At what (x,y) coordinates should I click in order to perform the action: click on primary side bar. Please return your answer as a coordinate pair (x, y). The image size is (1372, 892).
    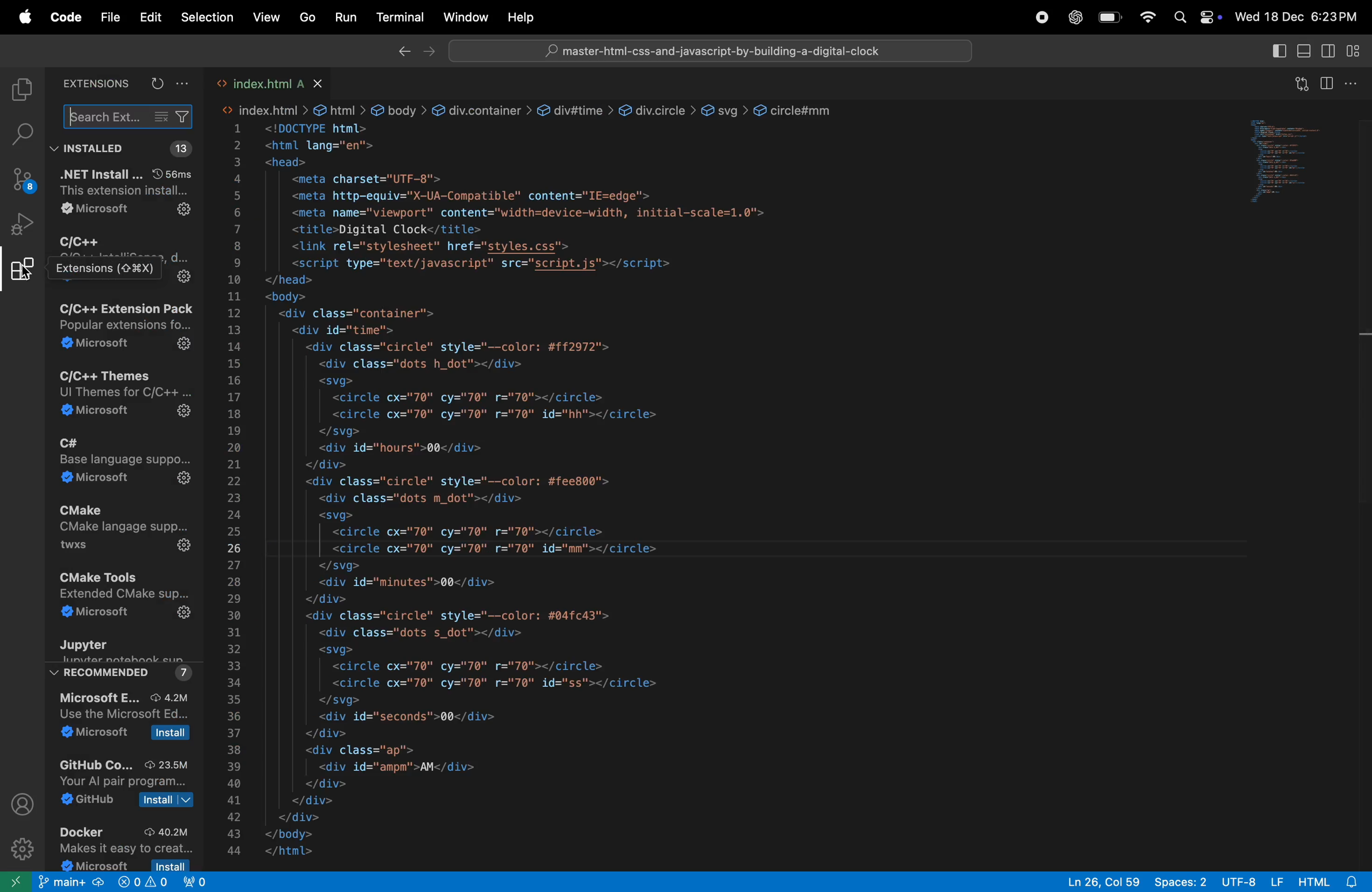
    Looking at the image, I should click on (1279, 51).